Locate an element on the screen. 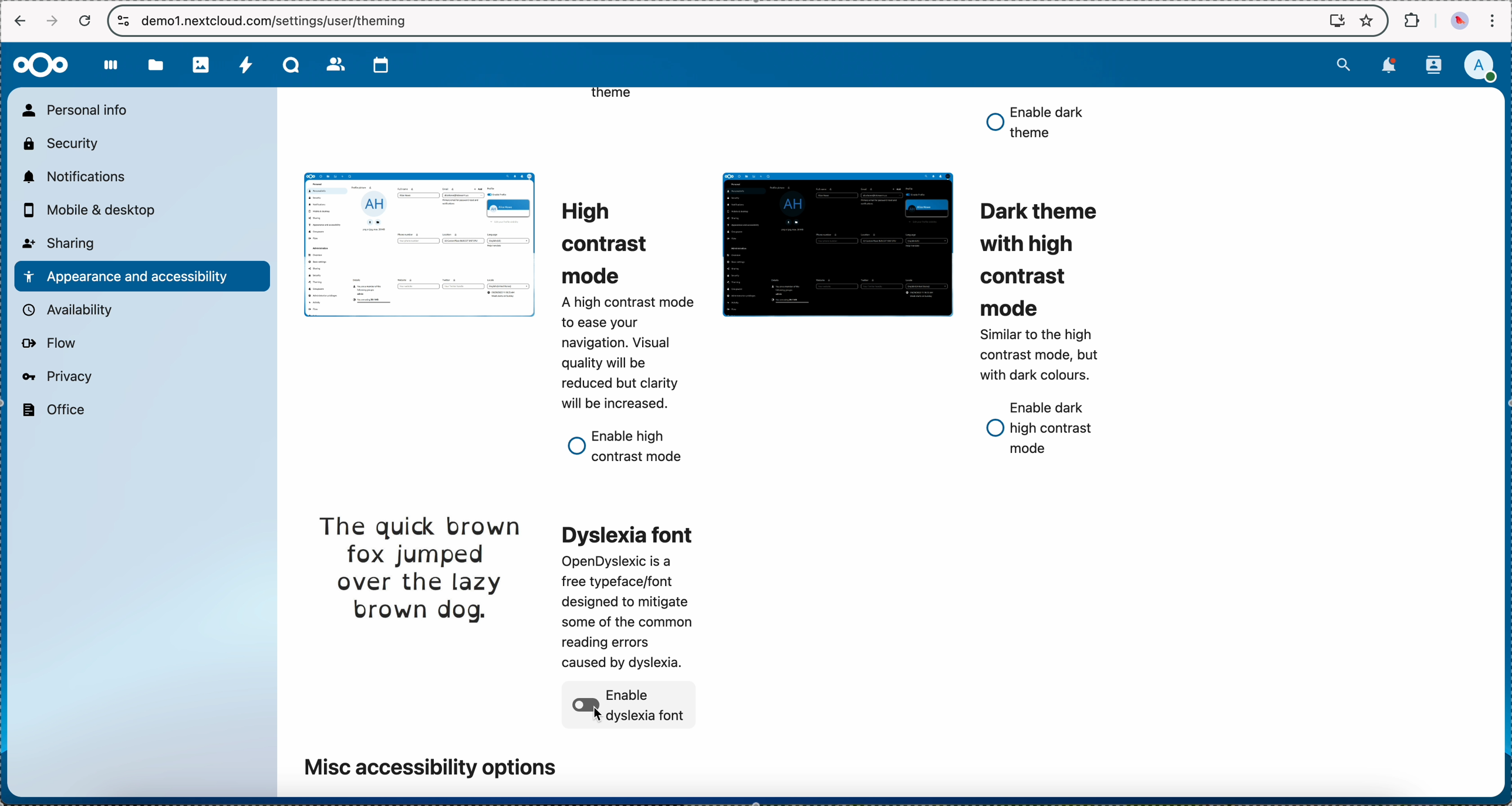 The height and width of the screenshot is (806, 1512). notifications is located at coordinates (76, 178).